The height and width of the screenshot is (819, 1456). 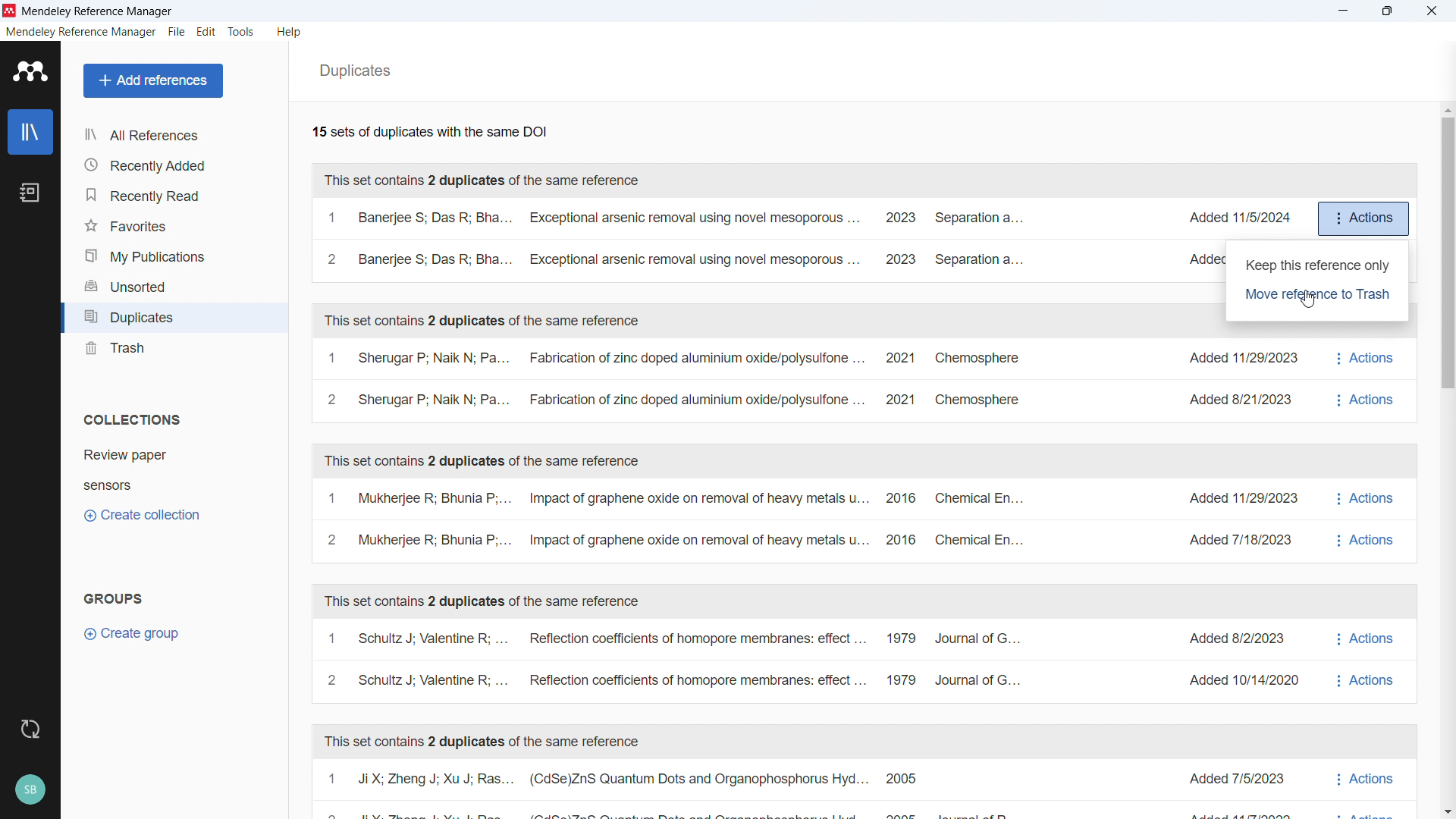 I want to click on Date of addition of individual entries , so click(x=1239, y=217).